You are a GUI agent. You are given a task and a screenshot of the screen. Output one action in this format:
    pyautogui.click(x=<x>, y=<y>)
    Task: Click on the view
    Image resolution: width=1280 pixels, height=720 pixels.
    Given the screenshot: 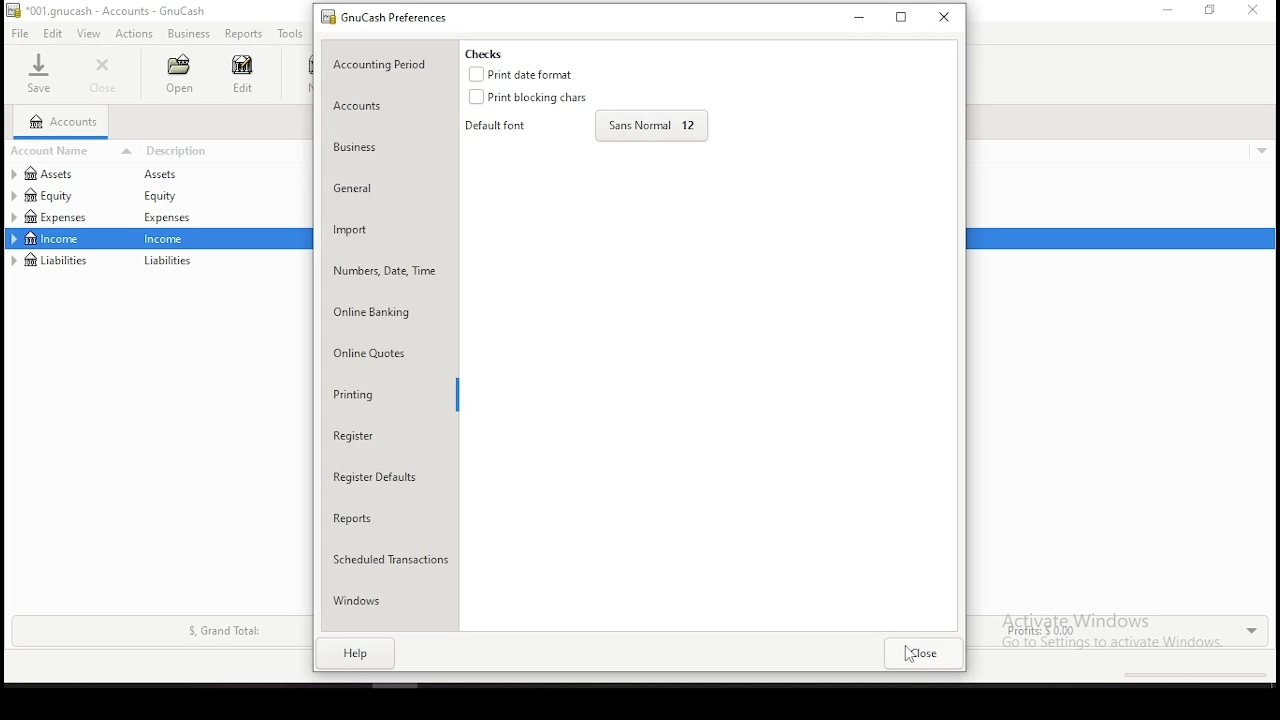 What is the action you would take?
    pyautogui.click(x=89, y=34)
    